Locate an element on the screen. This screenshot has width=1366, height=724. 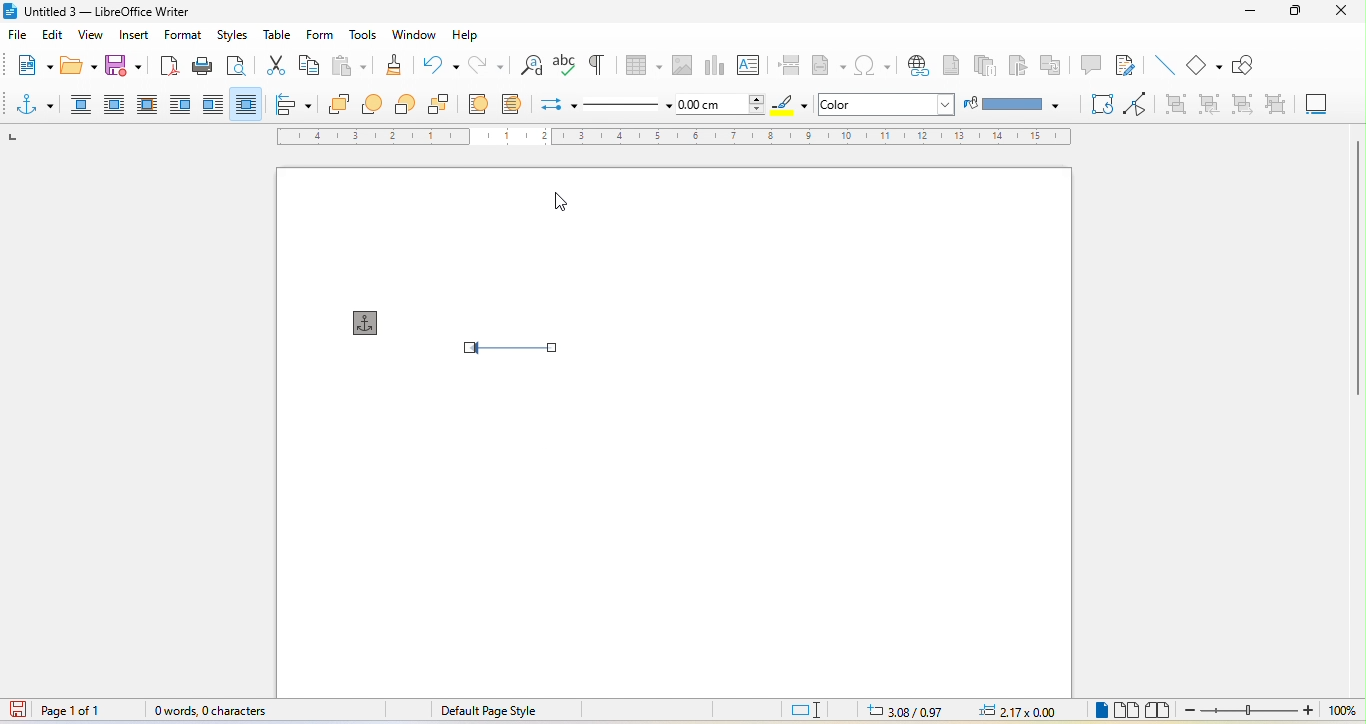
ruler is located at coordinates (676, 137).